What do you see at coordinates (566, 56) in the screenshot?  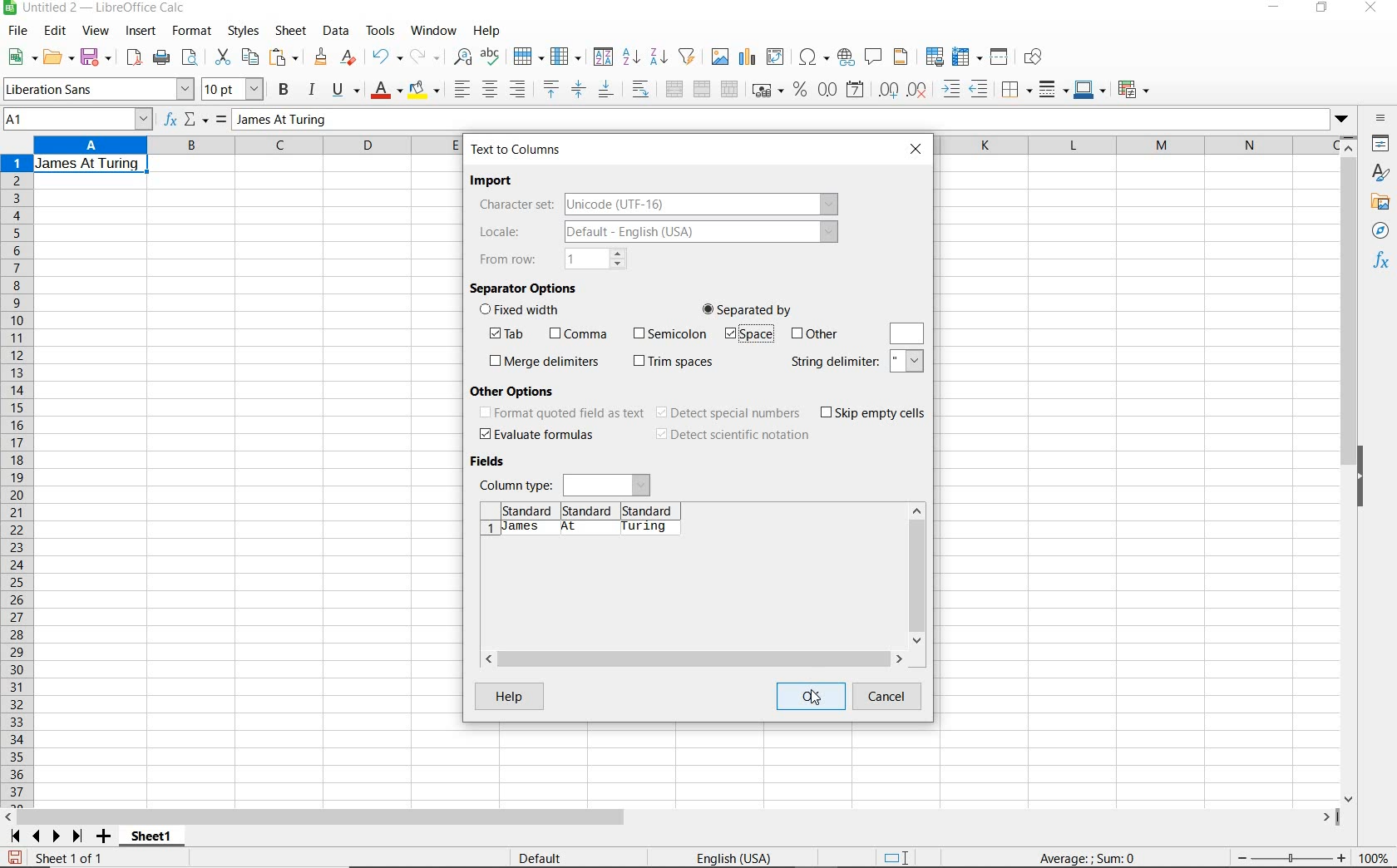 I see `column` at bounding box center [566, 56].